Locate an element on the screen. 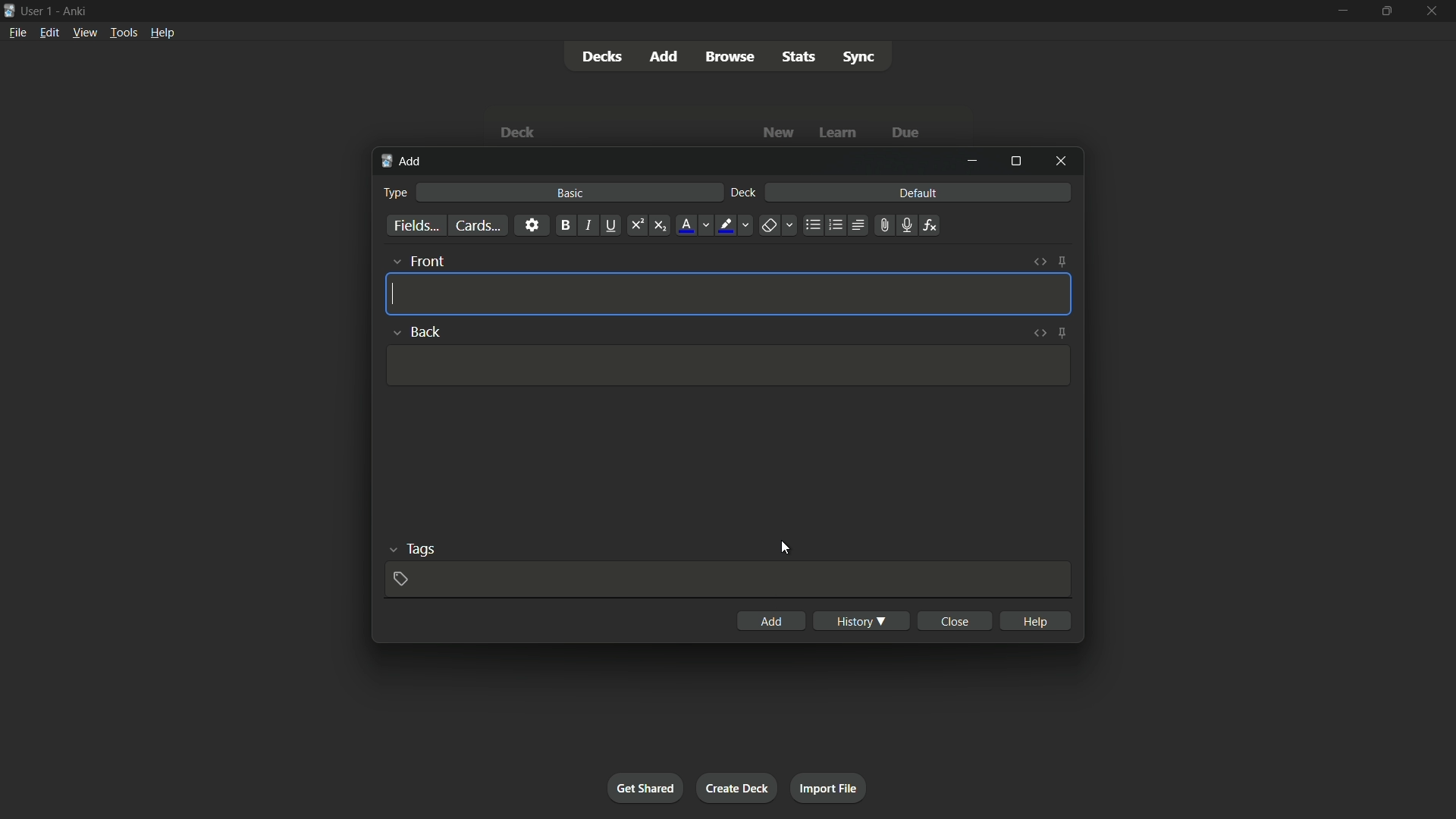  stats is located at coordinates (798, 56).